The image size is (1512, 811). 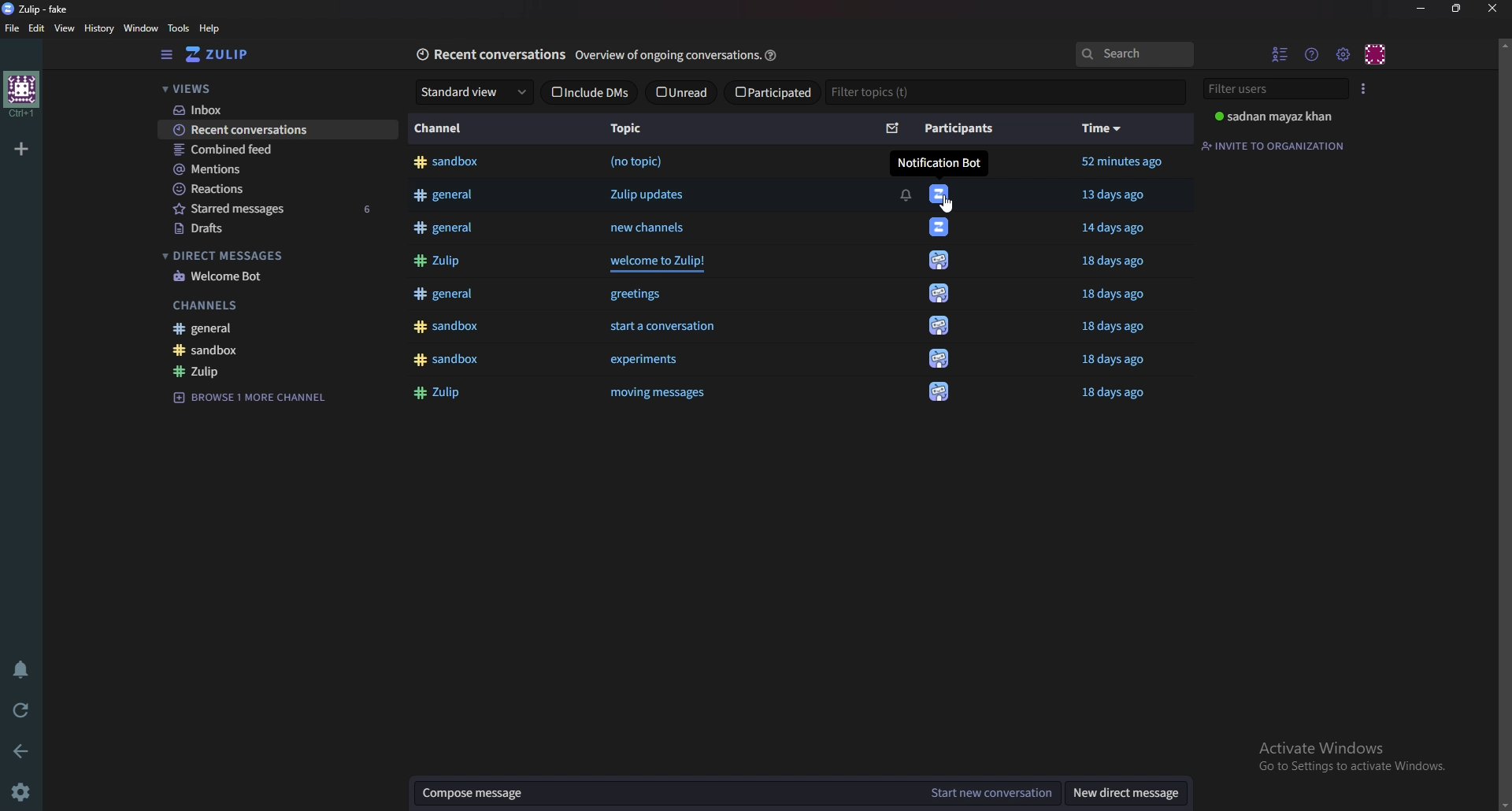 What do you see at coordinates (449, 196) in the screenshot?
I see `#general` at bounding box center [449, 196].